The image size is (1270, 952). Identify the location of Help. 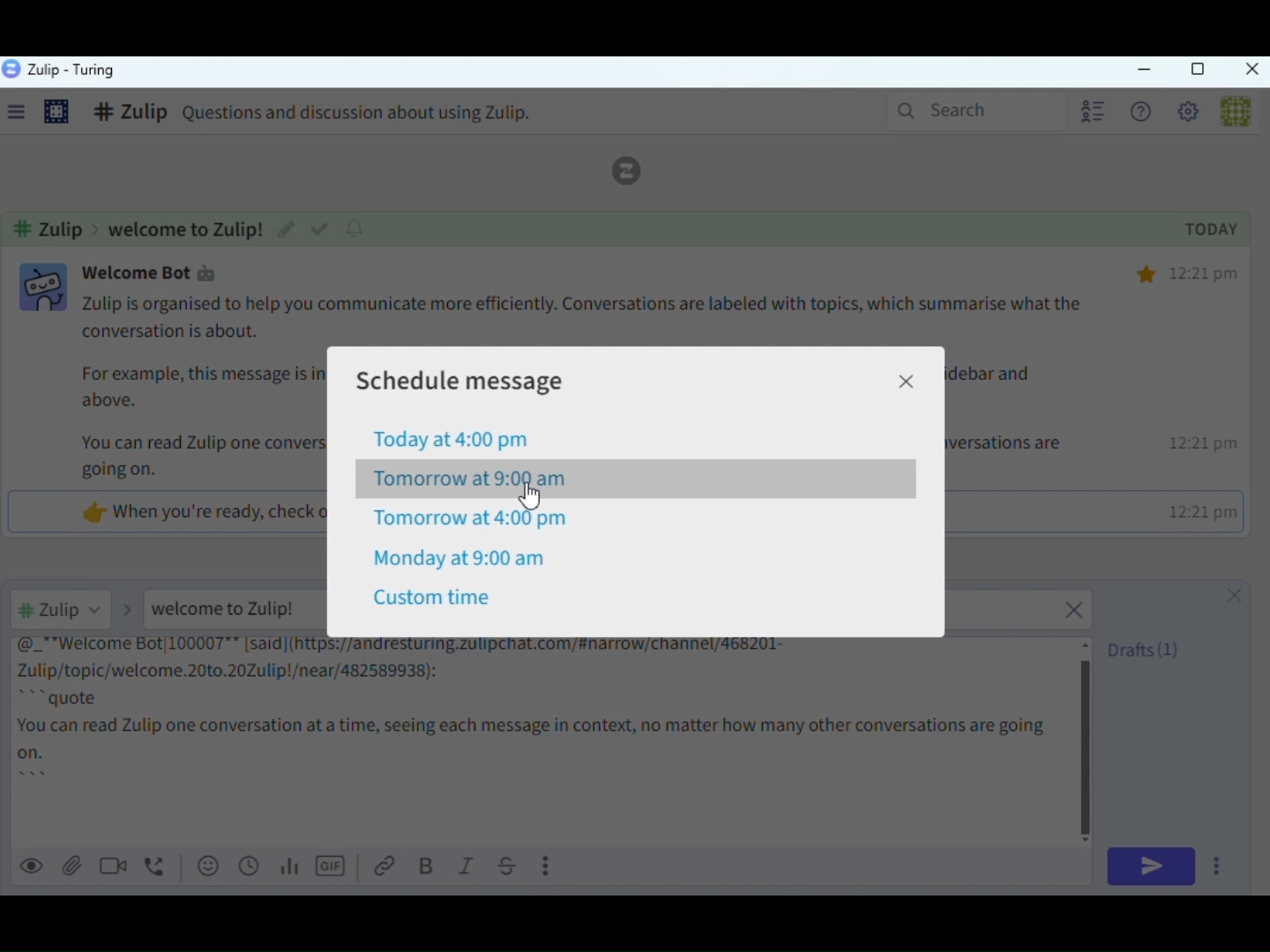
(1144, 113).